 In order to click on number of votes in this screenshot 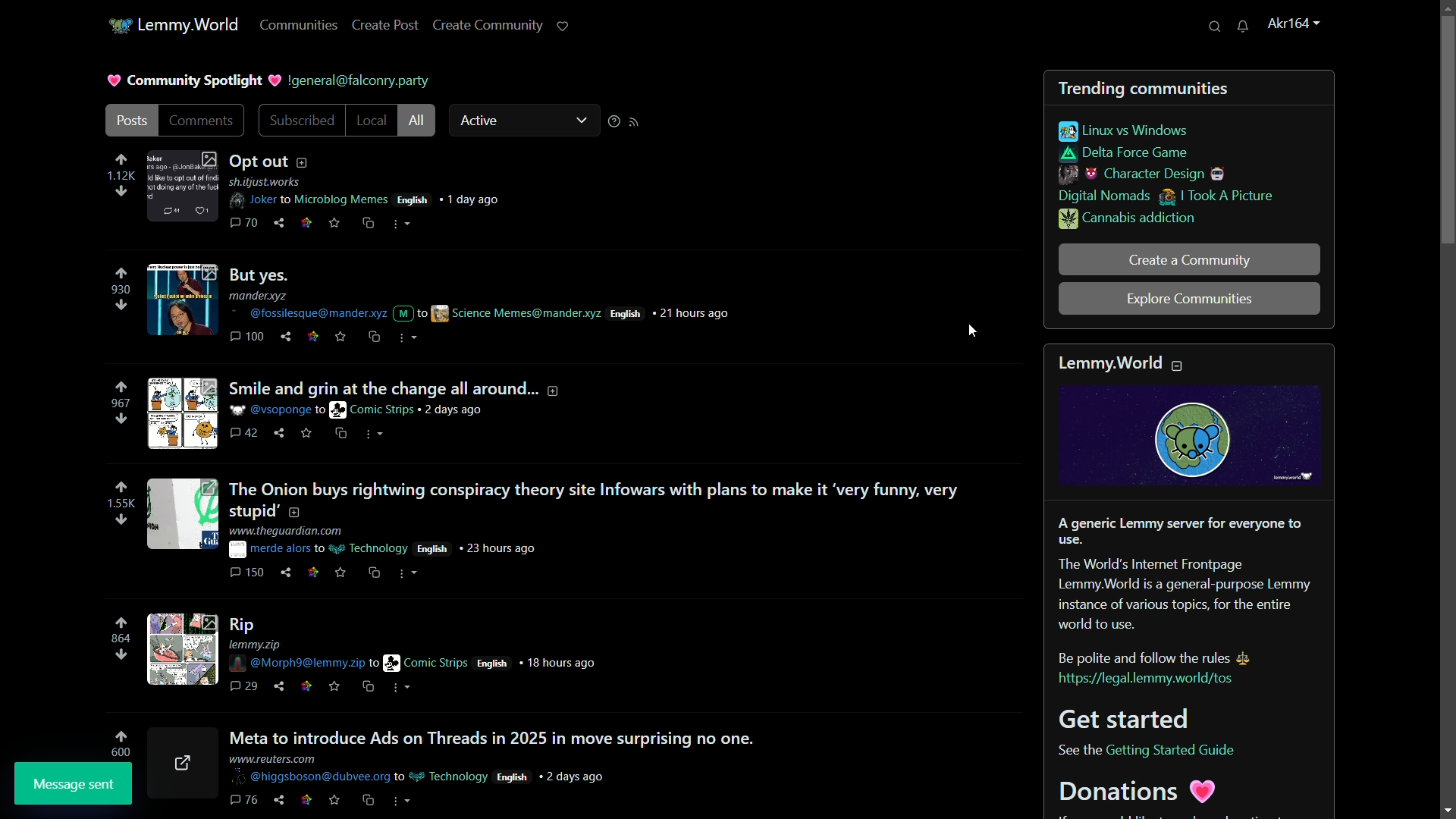, I will do `click(122, 635)`.